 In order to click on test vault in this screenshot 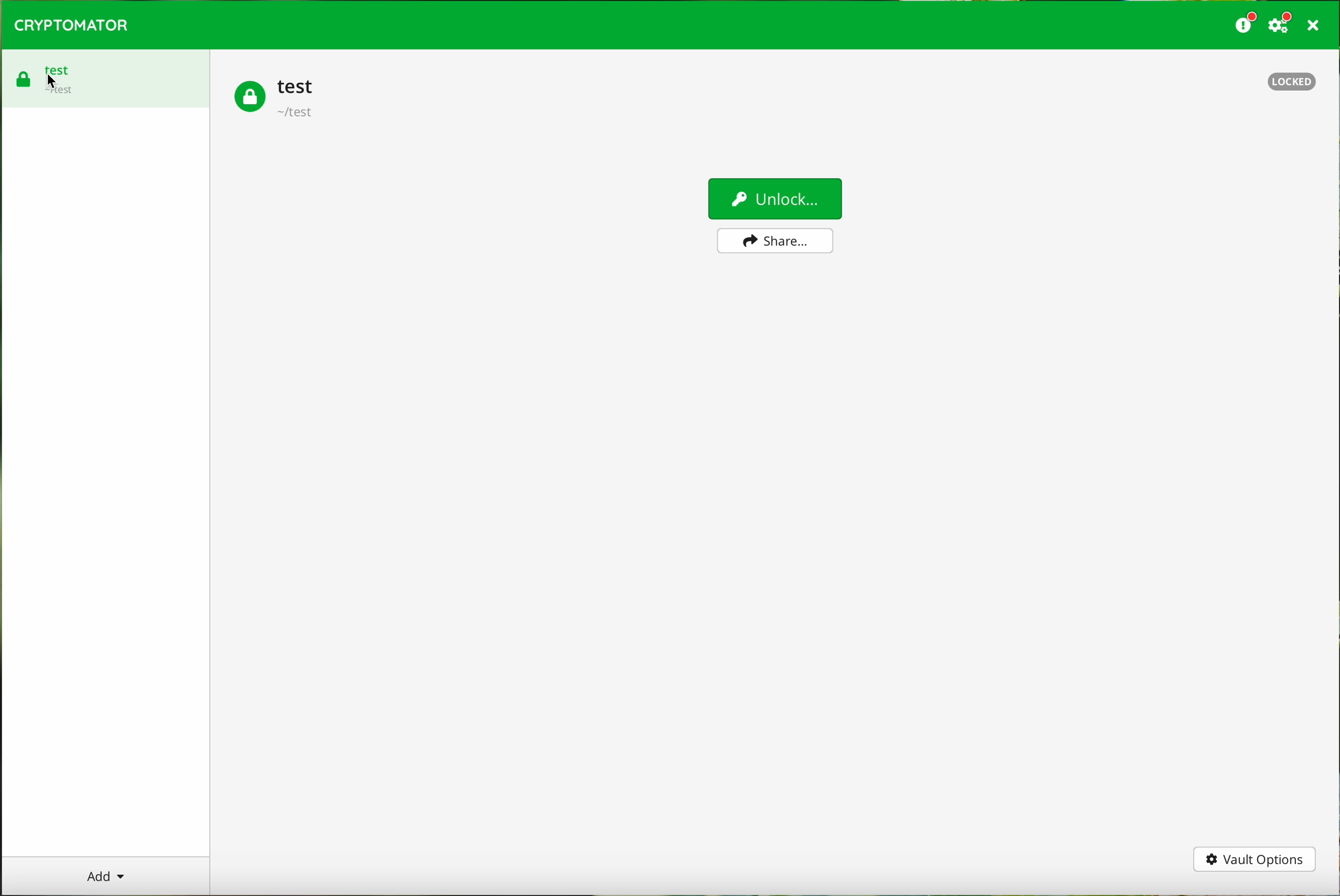, I will do `click(278, 99)`.